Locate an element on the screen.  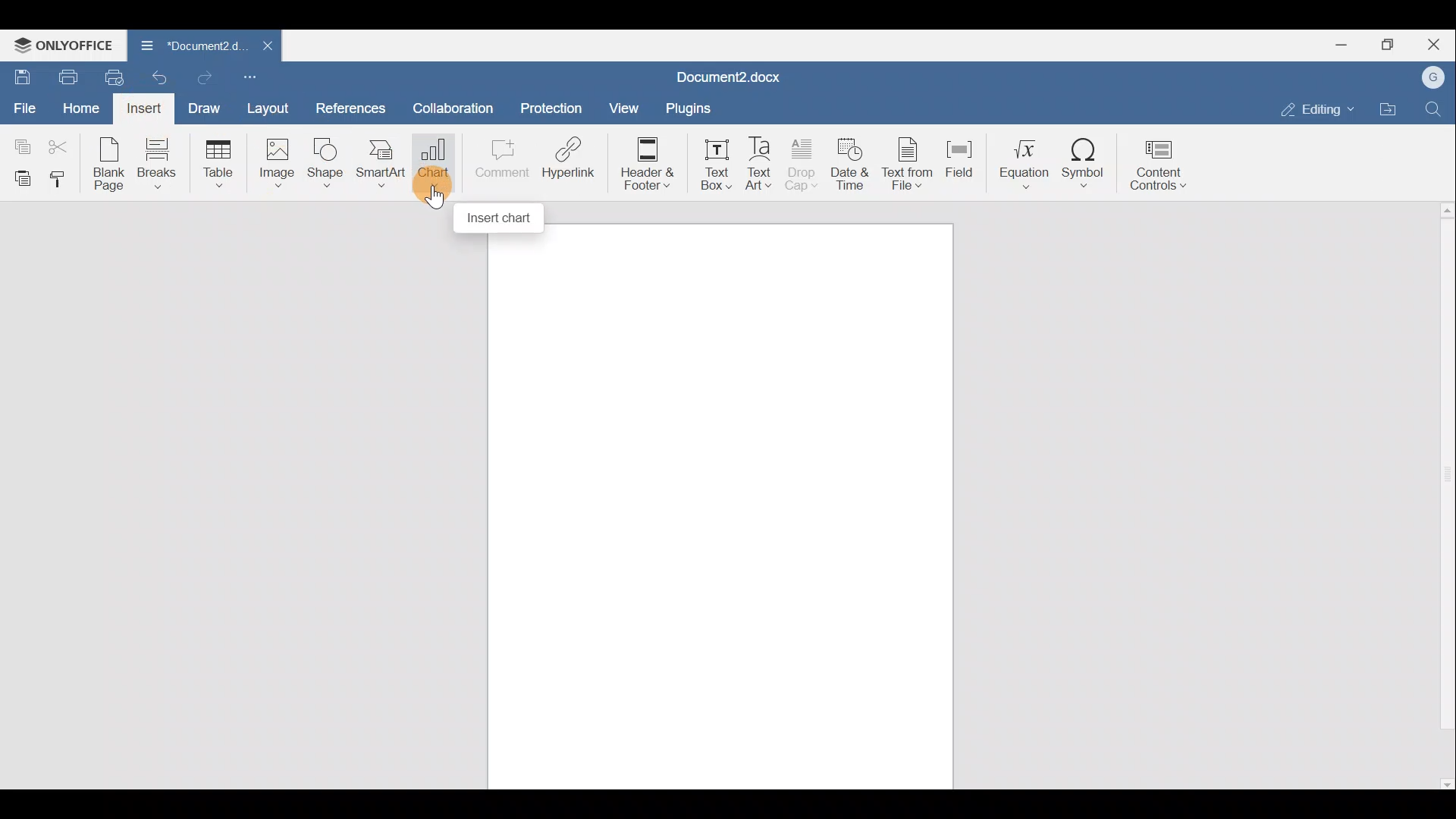
ONLYOFFICE Menu is located at coordinates (61, 45).